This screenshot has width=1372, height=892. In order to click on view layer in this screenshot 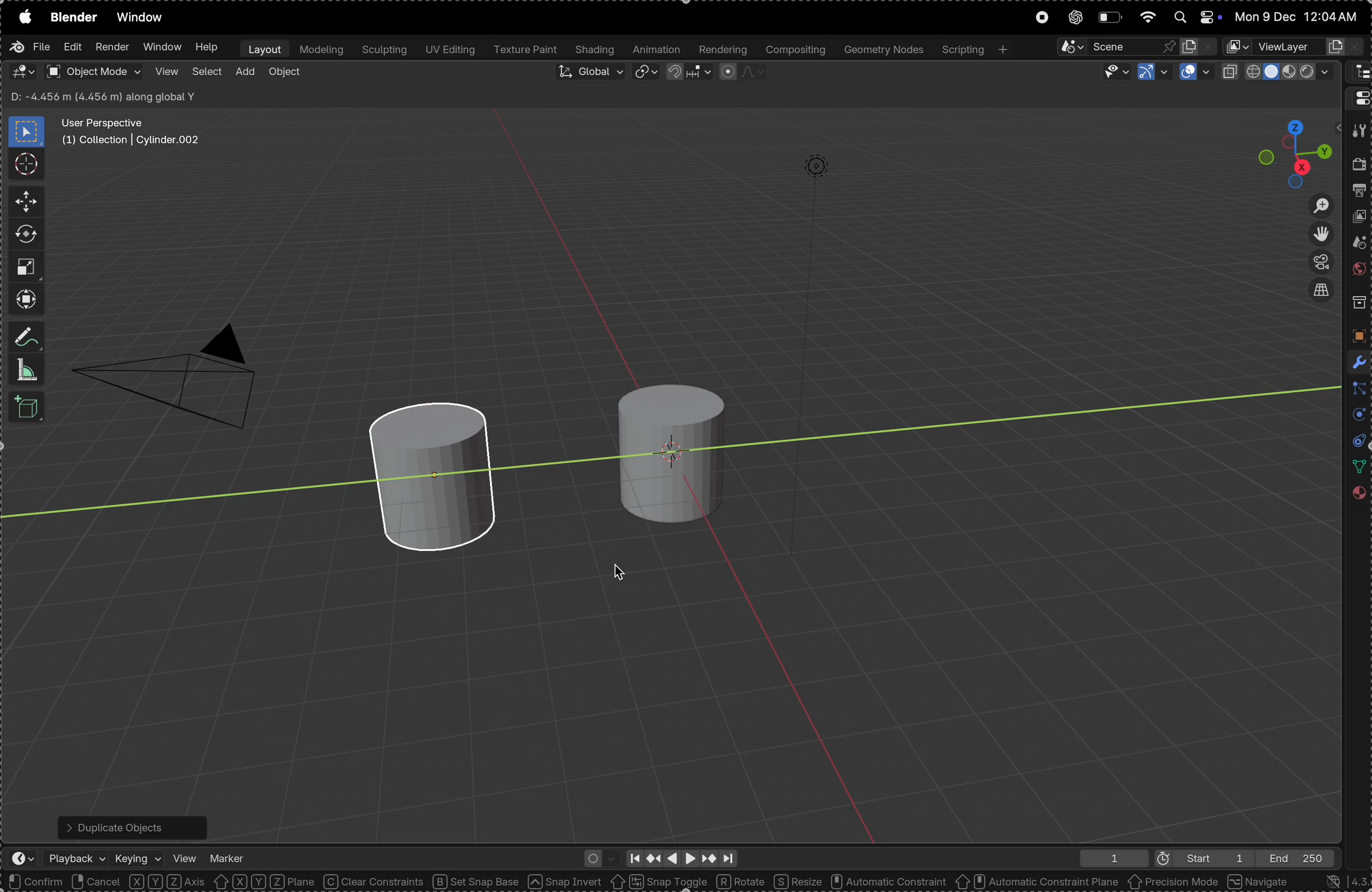, I will do `click(1360, 219)`.